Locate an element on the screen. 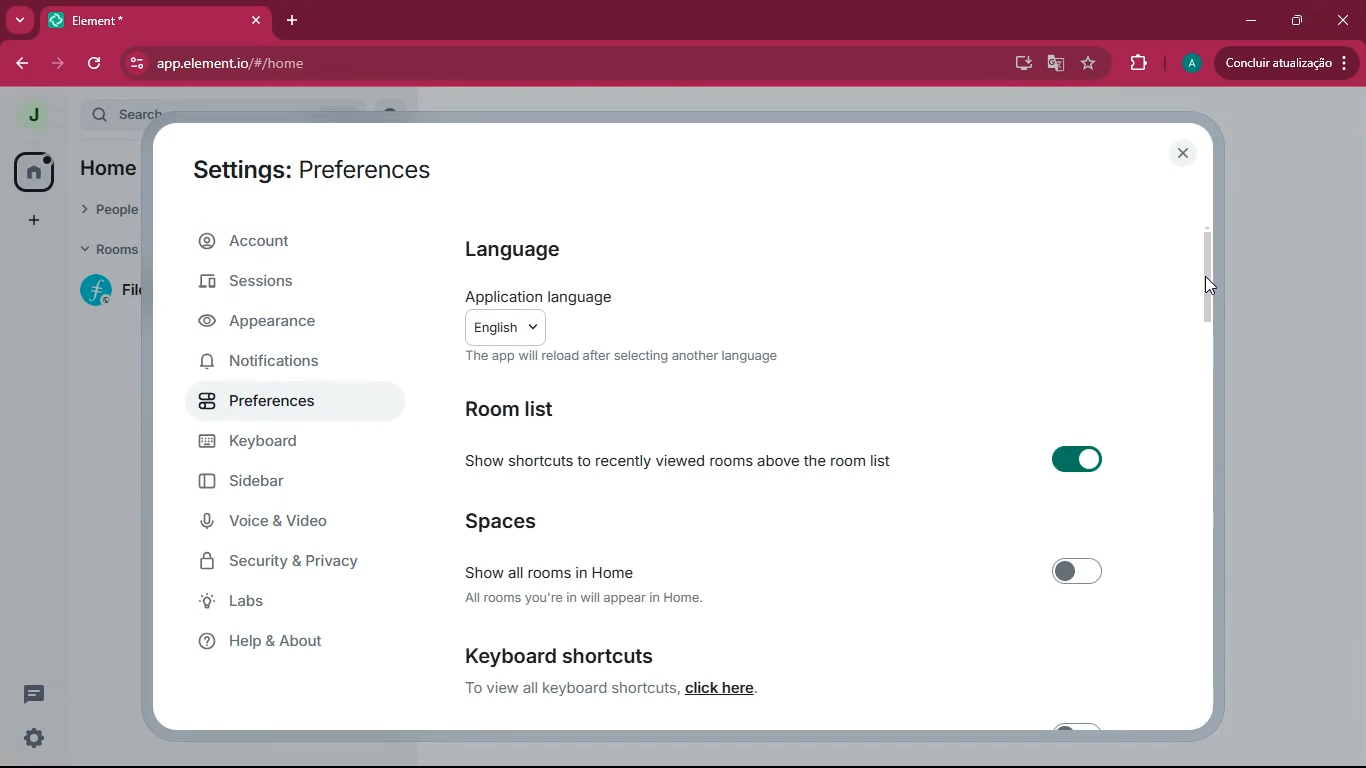 The width and height of the screenshot is (1366, 768). notifications is located at coordinates (272, 364).